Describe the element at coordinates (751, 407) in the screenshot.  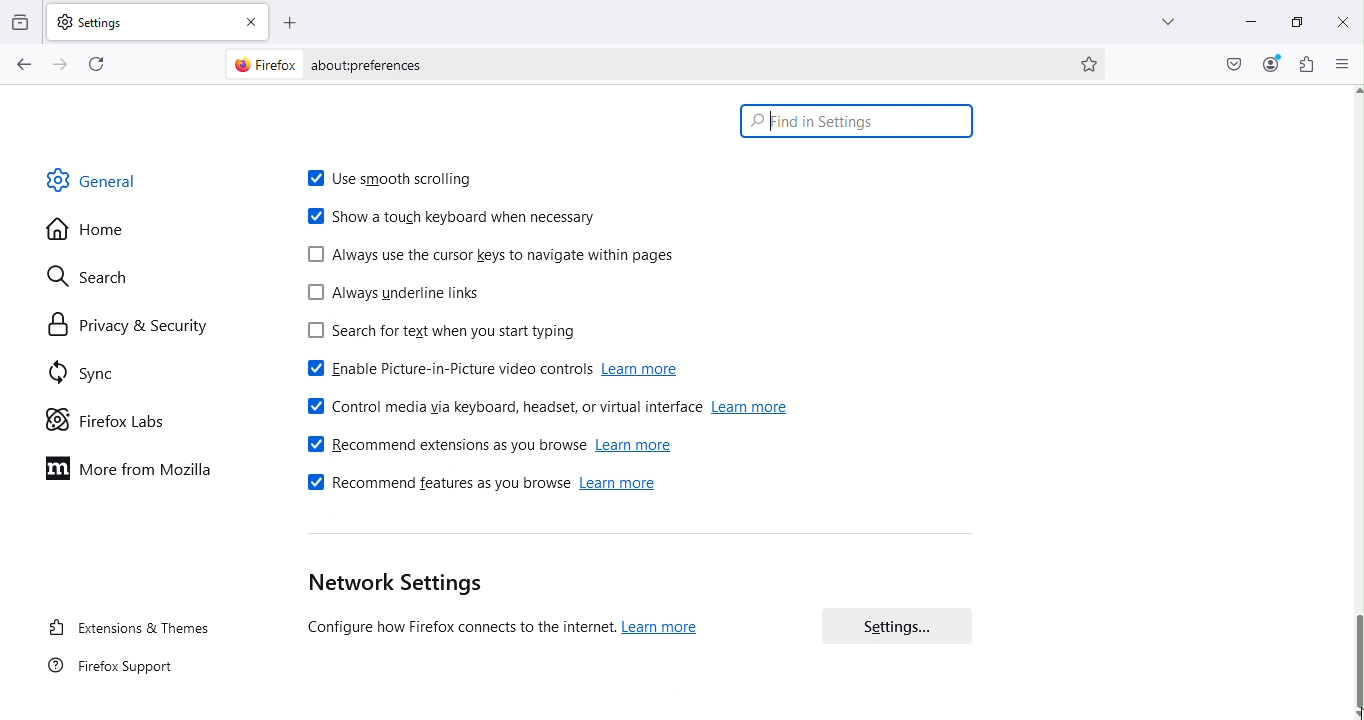
I see `learn more` at that location.